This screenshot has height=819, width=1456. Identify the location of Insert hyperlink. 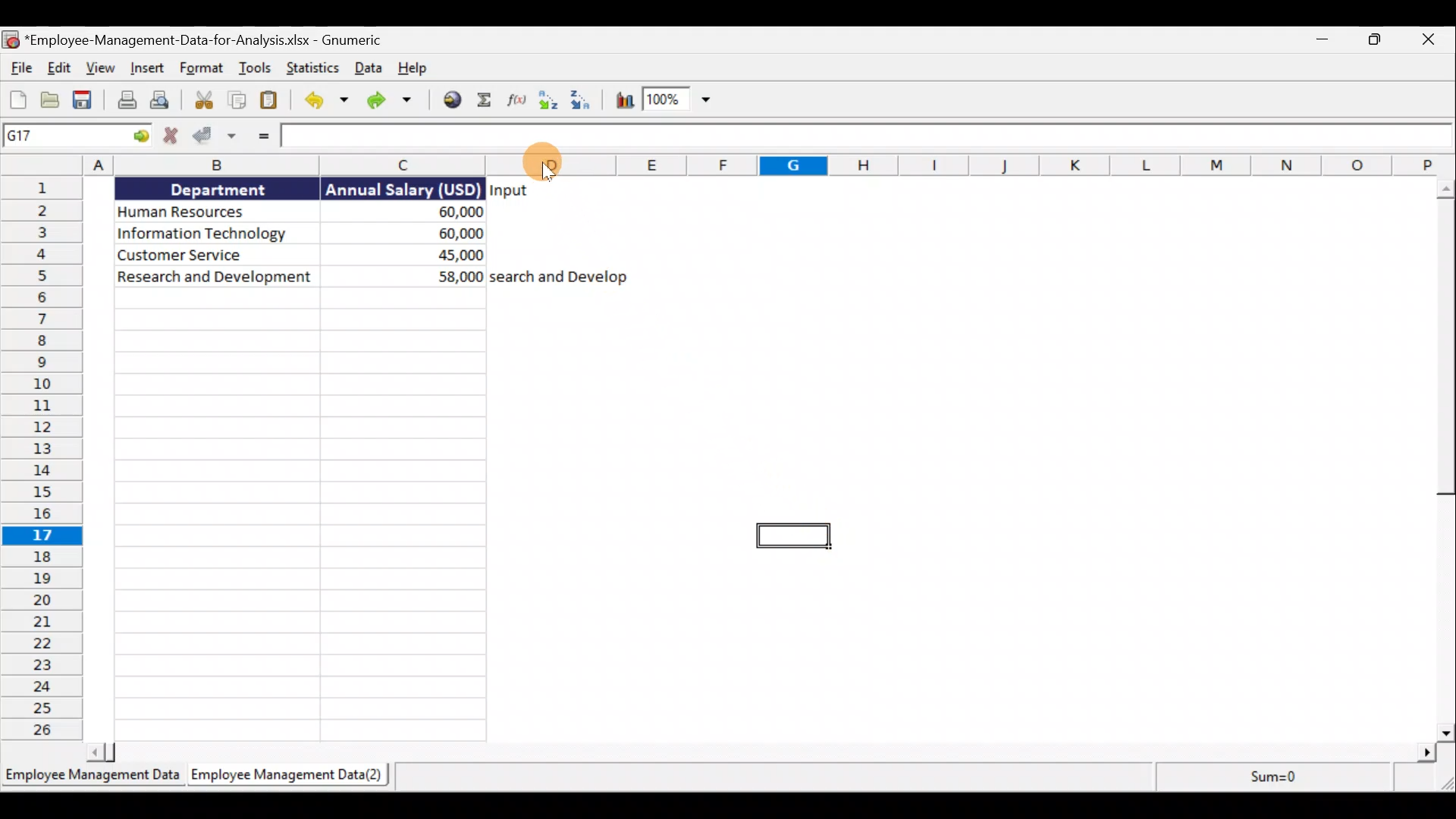
(450, 100).